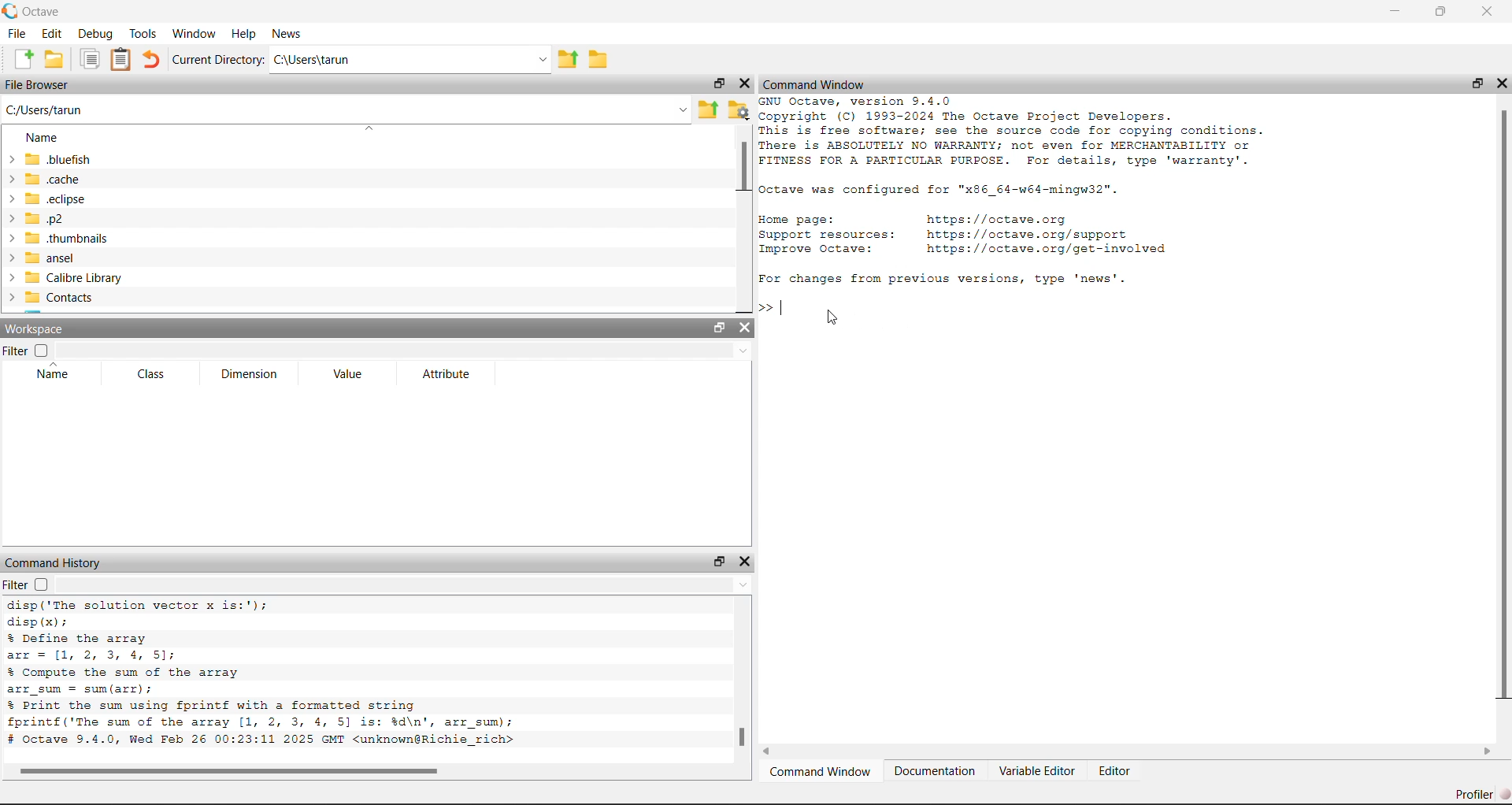 The width and height of the screenshot is (1512, 805). Describe the element at coordinates (744, 328) in the screenshot. I see `Close` at that location.